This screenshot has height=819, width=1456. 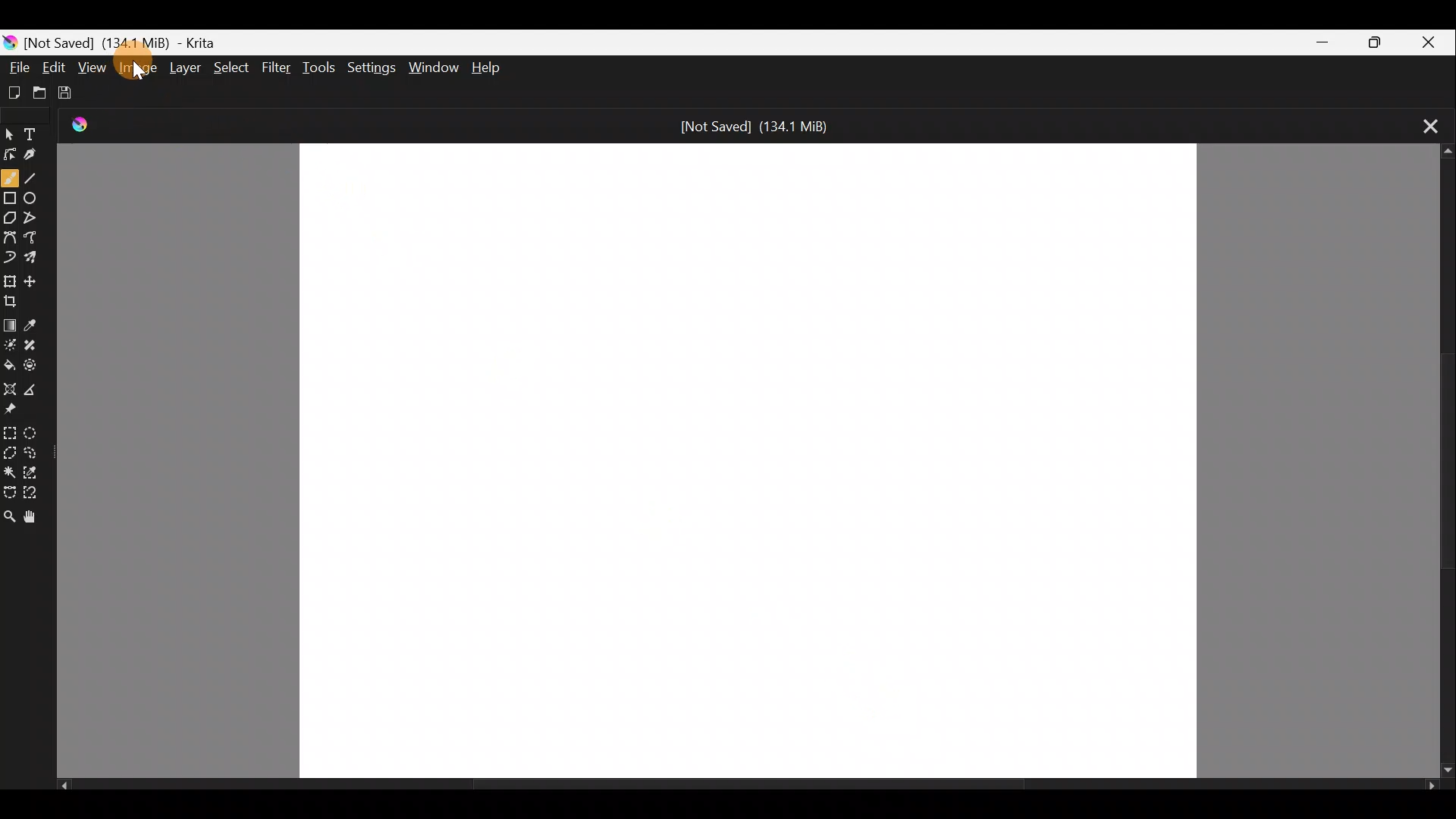 I want to click on Settings, so click(x=369, y=67).